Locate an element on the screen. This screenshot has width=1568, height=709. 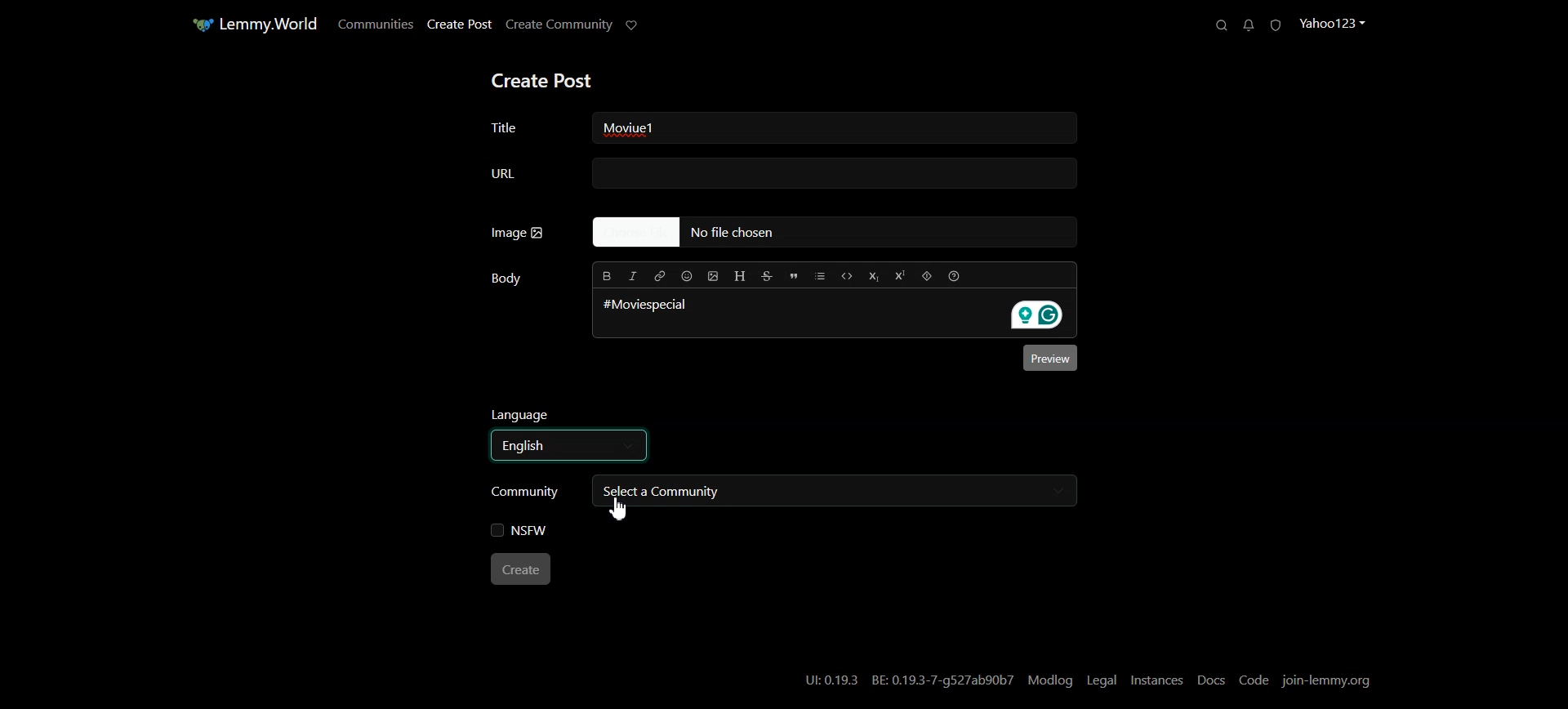
Quote is located at coordinates (794, 277).